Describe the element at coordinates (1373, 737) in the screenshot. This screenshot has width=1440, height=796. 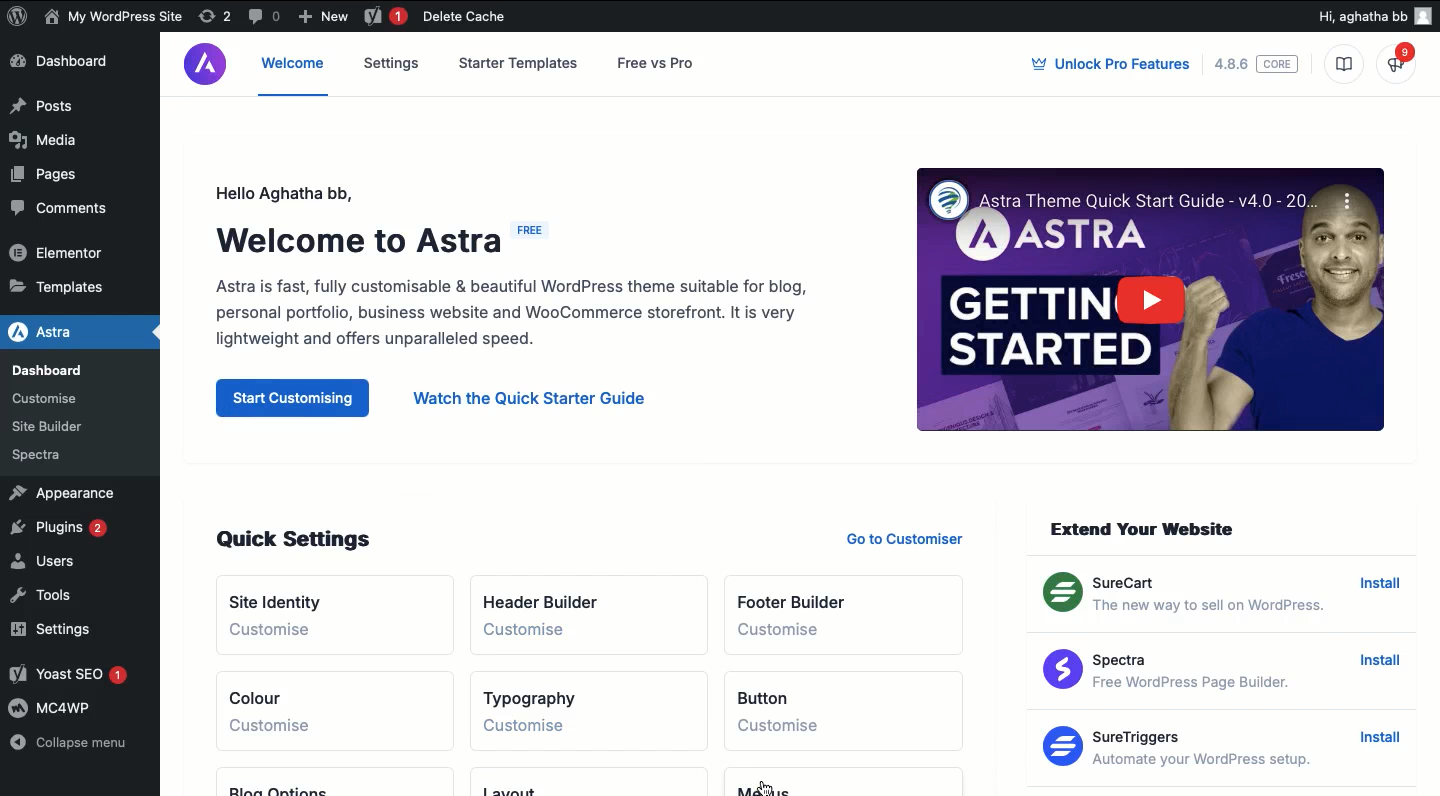
I see `Install` at that location.